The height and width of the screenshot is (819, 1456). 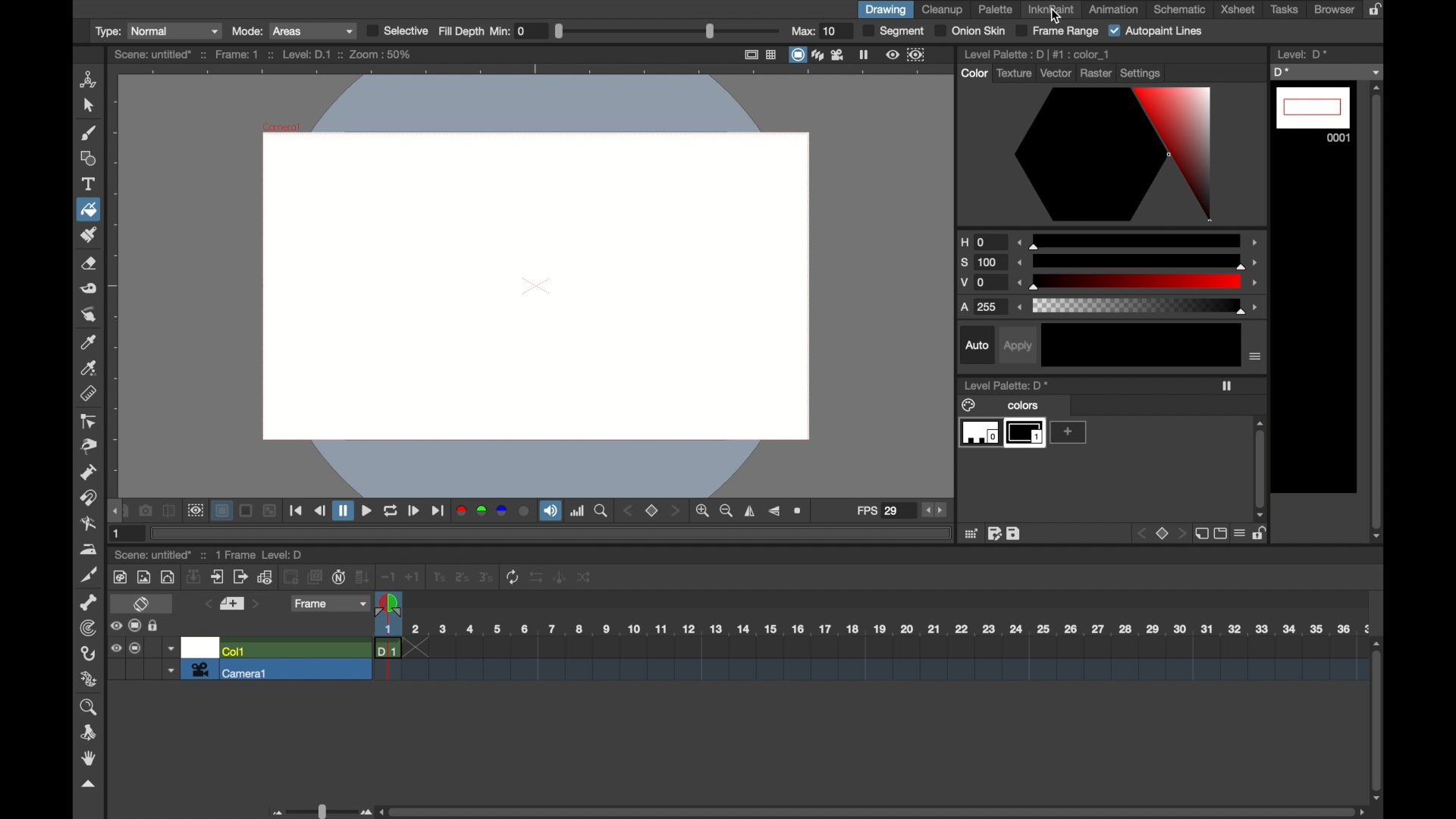 What do you see at coordinates (919, 55) in the screenshot?
I see `frame` at bounding box center [919, 55].